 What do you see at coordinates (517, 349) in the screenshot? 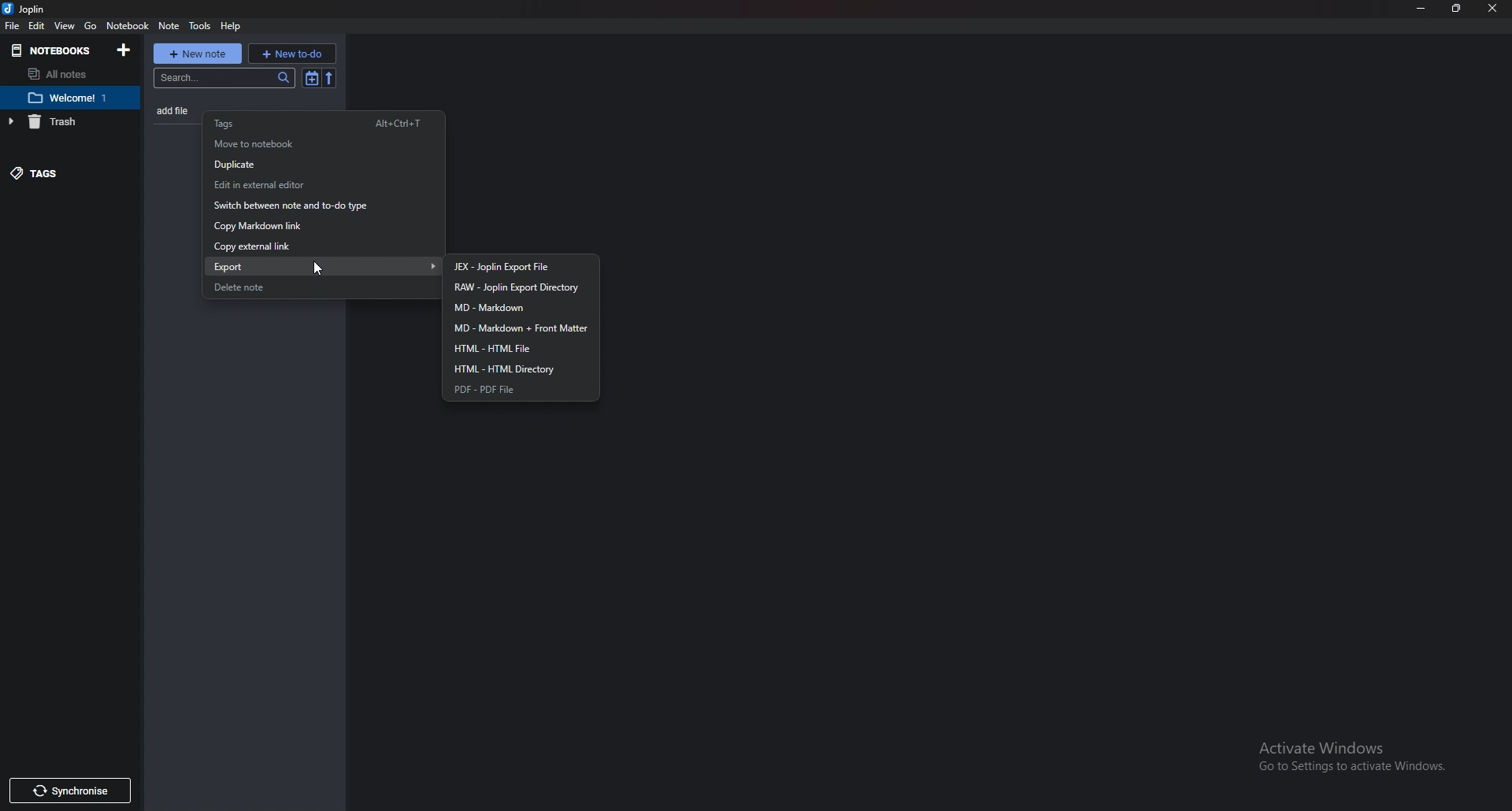
I see `H T M L file` at bounding box center [517, 349].